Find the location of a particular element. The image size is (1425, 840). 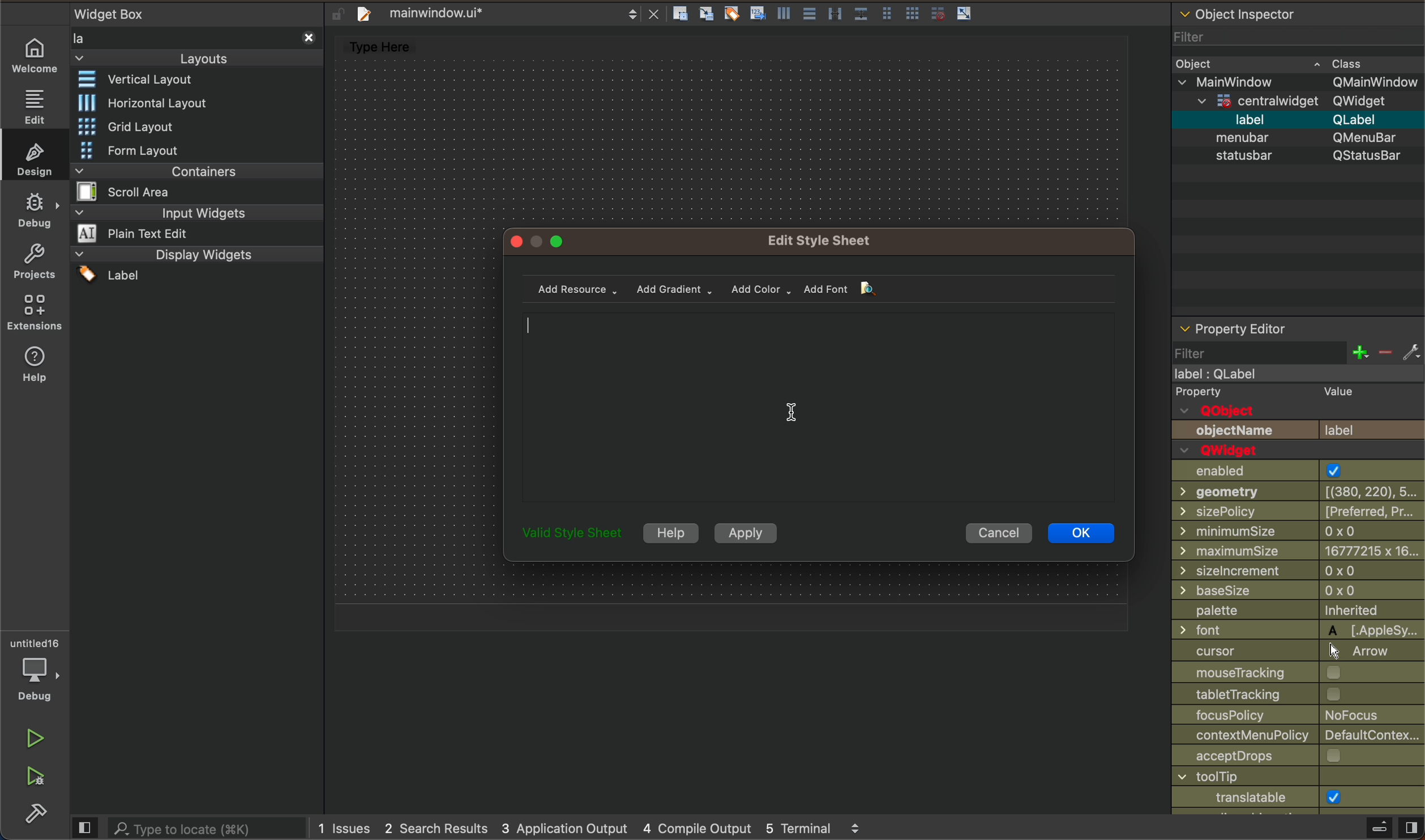

cursor is located at coordinates (794, 421).